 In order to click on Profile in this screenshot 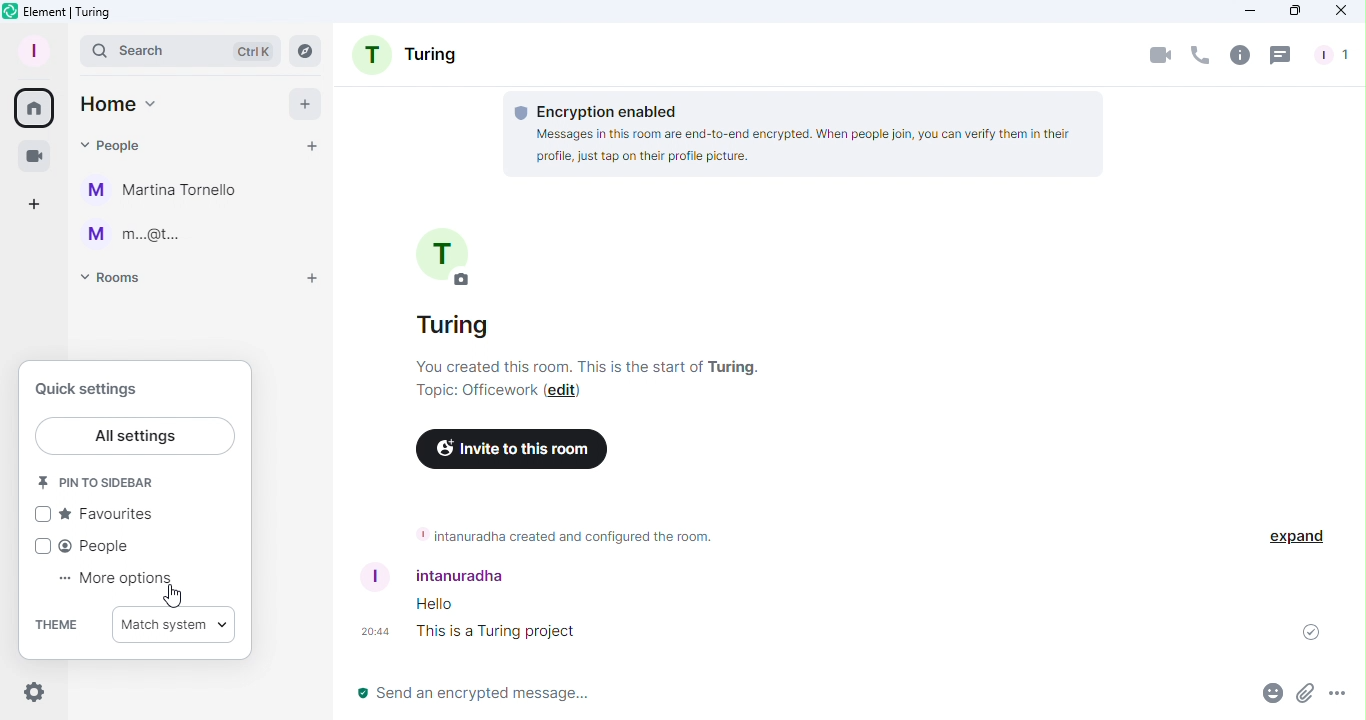, I will do `click(33, 49)`.